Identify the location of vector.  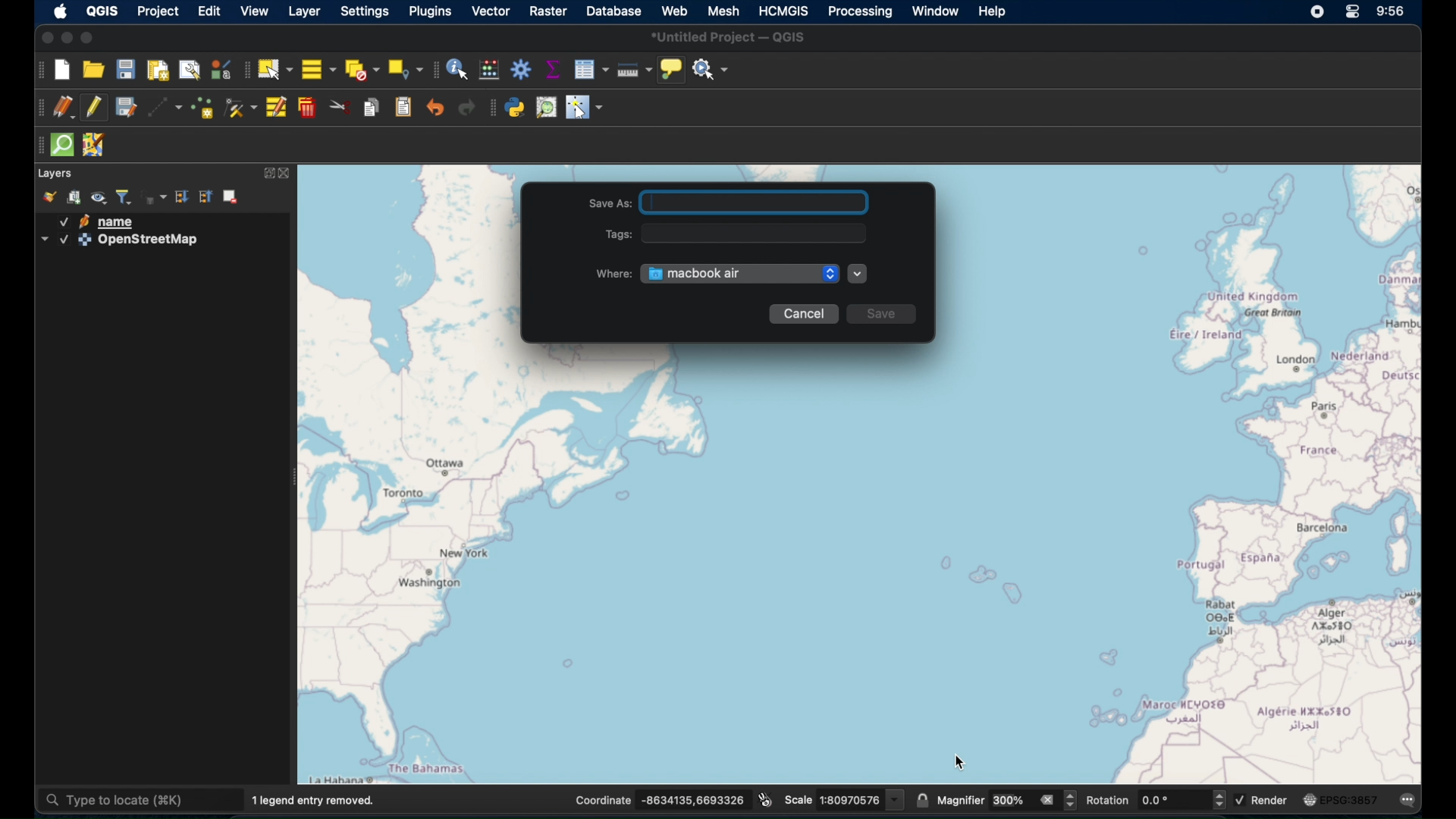
(491, 12).